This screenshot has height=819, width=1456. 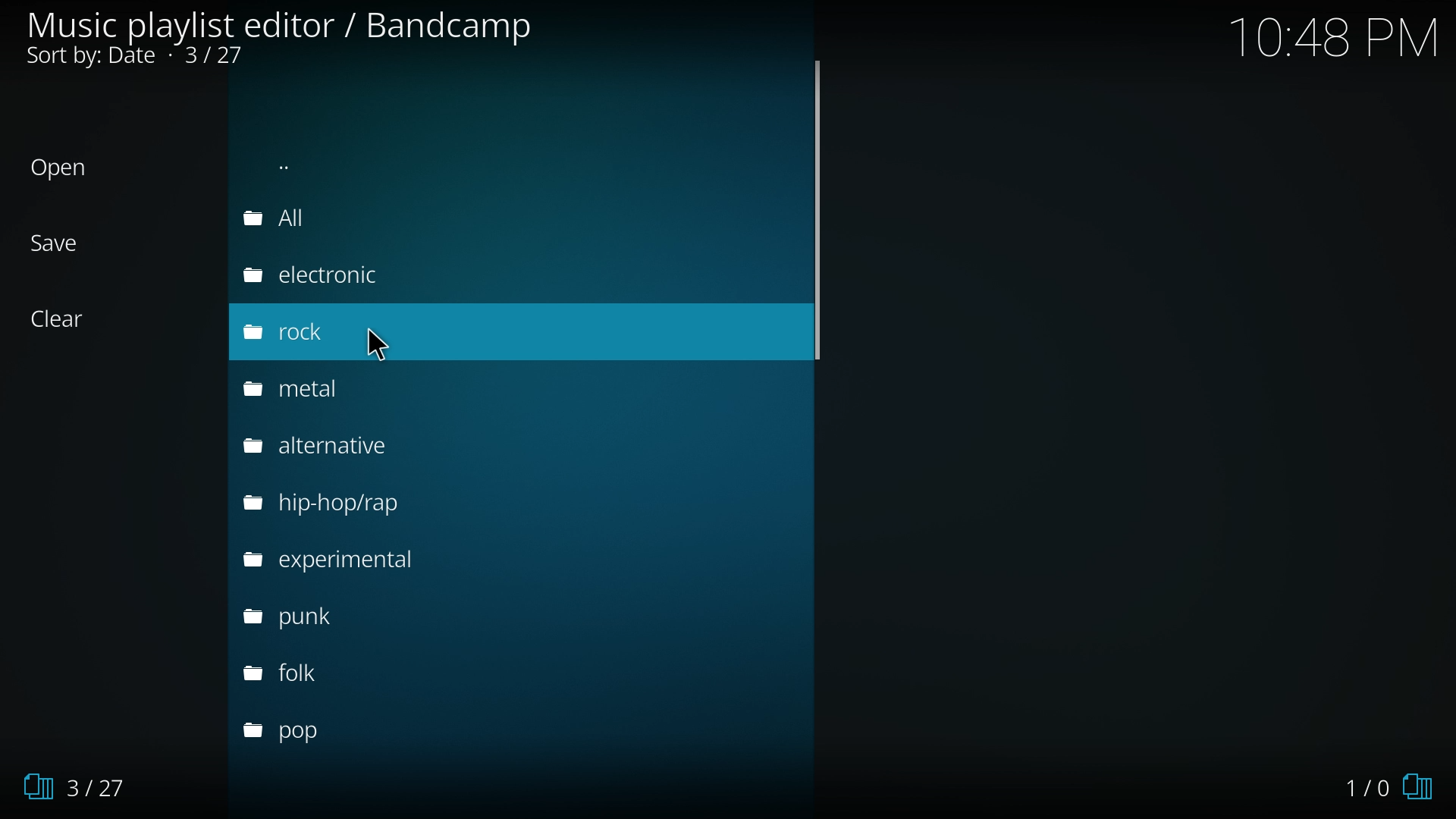 What do you see at coordinates (821, 216) in the screenshot?
I see `scroll bar` at bounding box center [821, 216].